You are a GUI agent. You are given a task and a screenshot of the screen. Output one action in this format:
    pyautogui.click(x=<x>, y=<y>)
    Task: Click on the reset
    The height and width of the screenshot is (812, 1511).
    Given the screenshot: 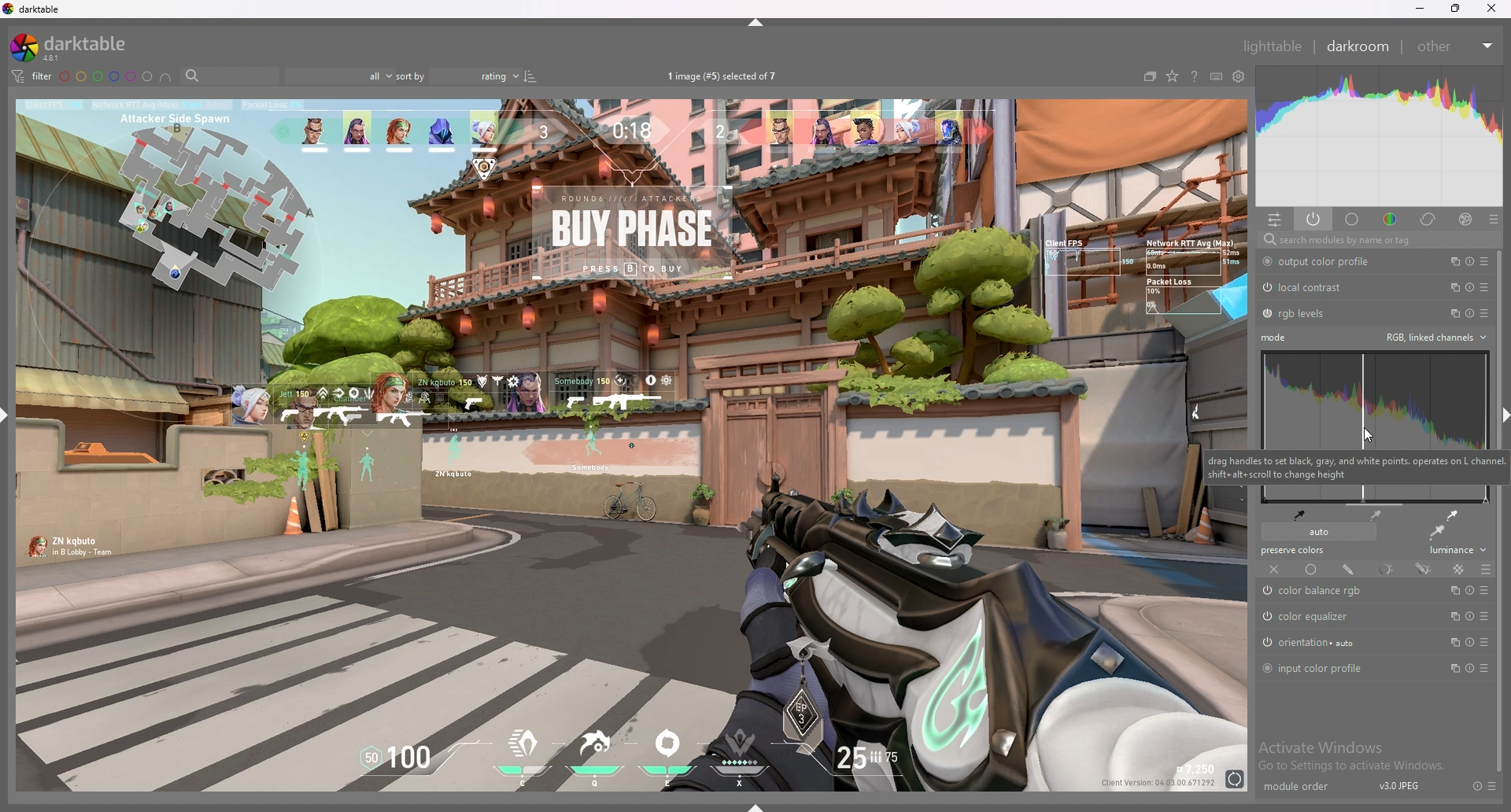 What is the action you would take?
    pyautogui.click(x=1472, y=785)
    